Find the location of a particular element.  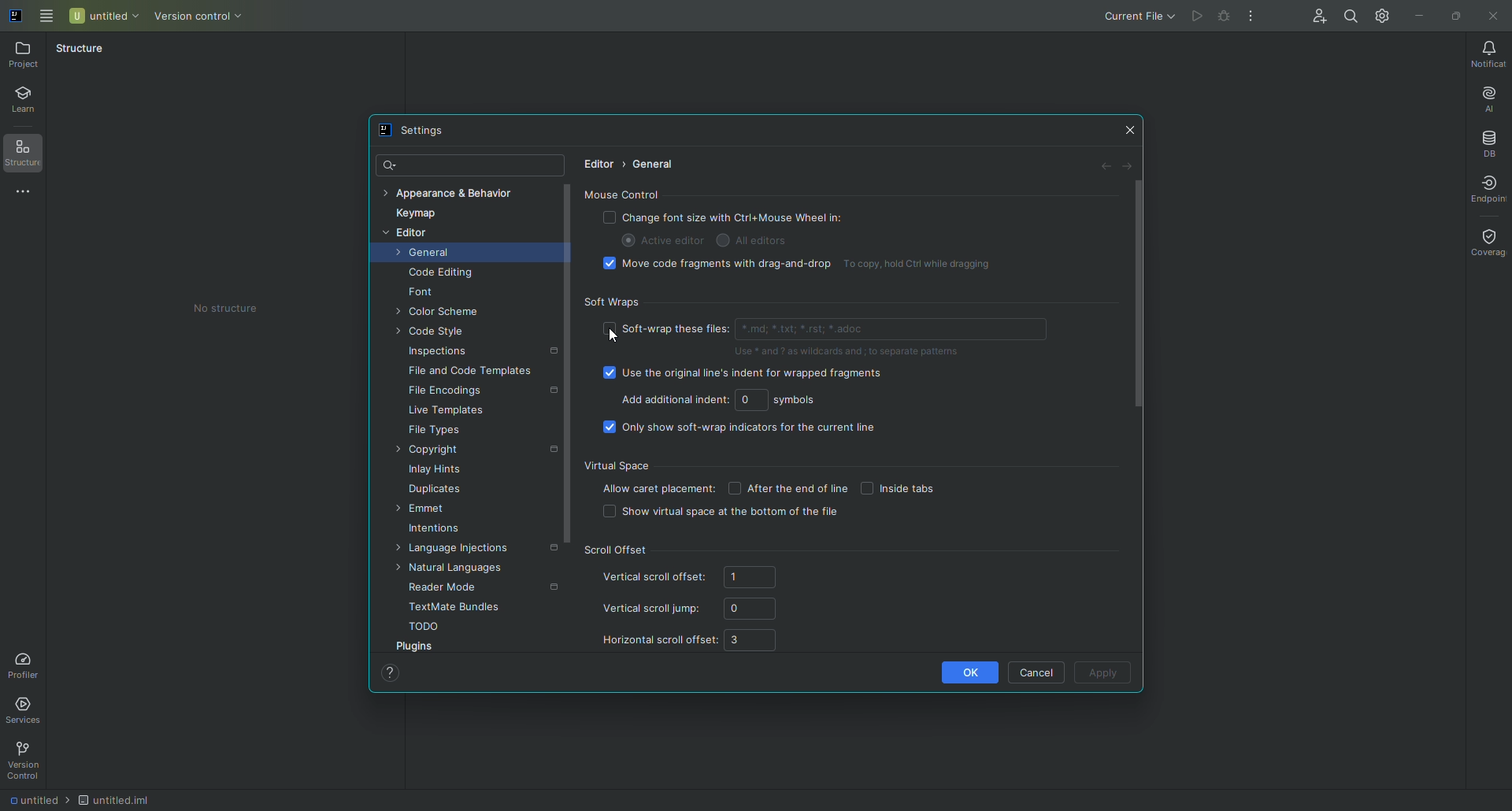

Version Control is located at coordinates (195, 16).